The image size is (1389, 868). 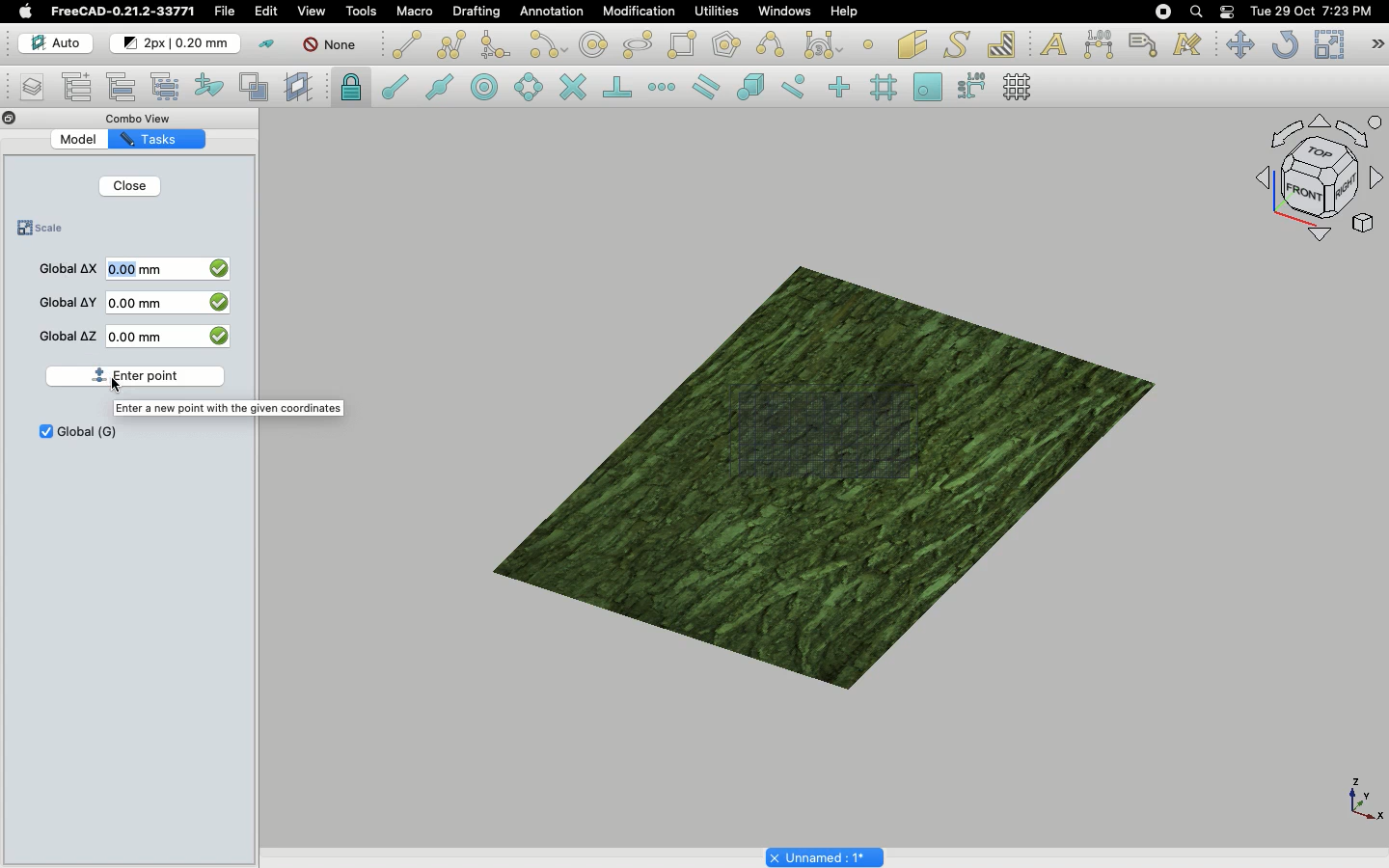 I want to click on Snap dimensions, so click(x=968, y=86).